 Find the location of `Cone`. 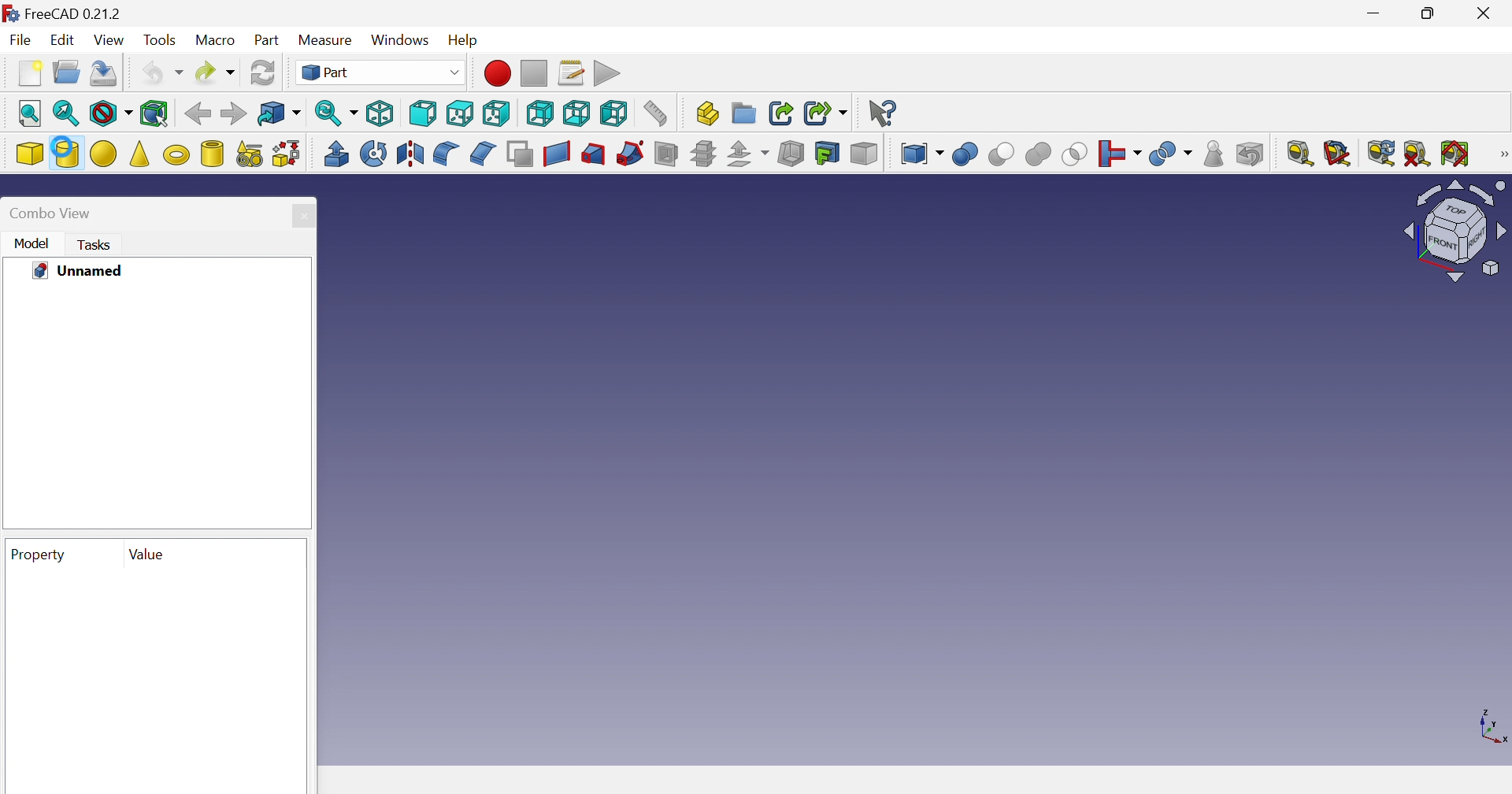

Cone is located at coordinates (139, 153).